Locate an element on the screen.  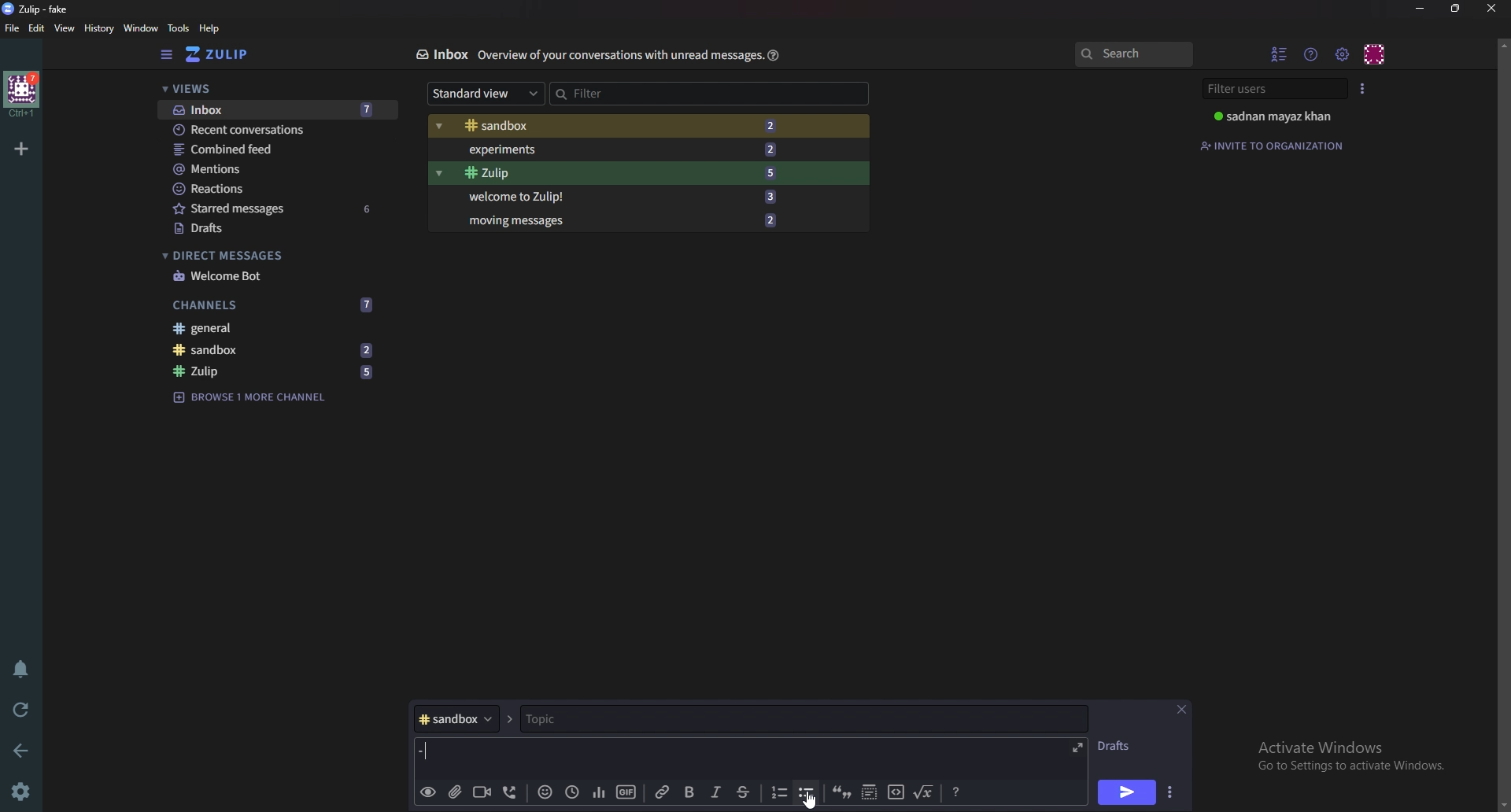
History is located at coordinates (101, 28).